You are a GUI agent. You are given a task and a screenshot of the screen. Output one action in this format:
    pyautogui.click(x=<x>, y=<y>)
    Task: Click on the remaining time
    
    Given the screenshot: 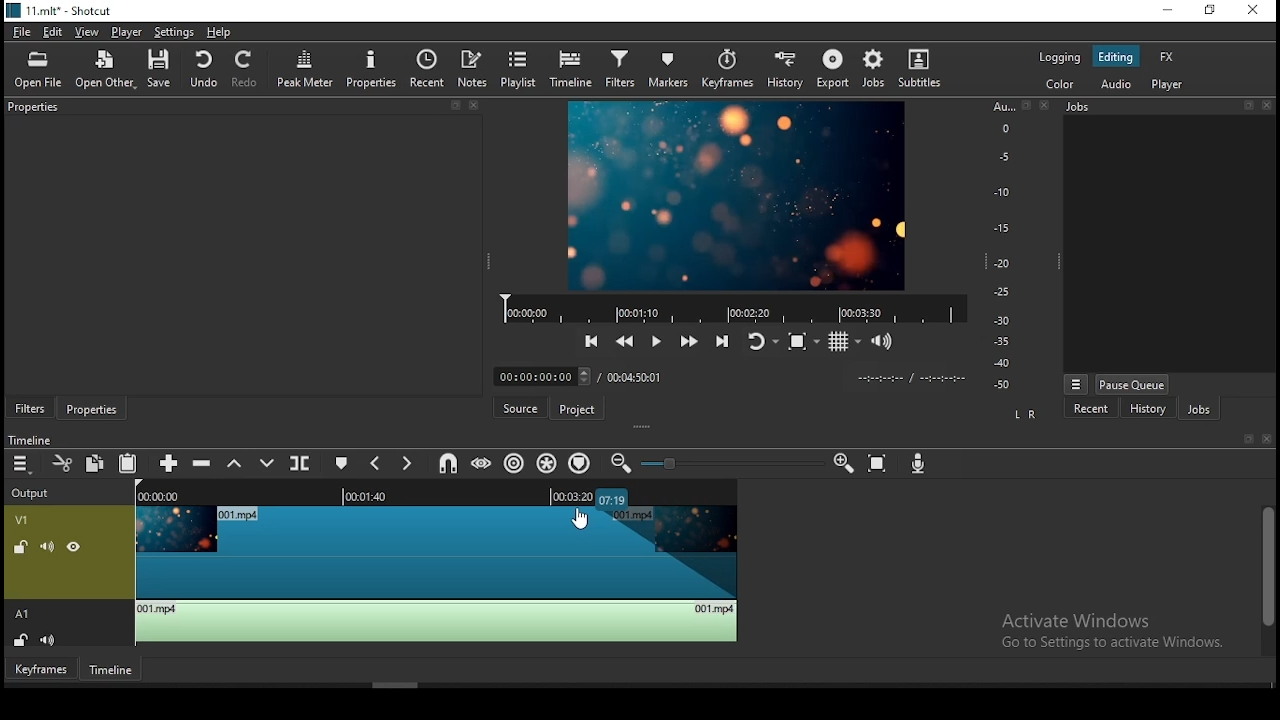 What is the action you would take?
    pyautogui.click(x=573, y=495)
    